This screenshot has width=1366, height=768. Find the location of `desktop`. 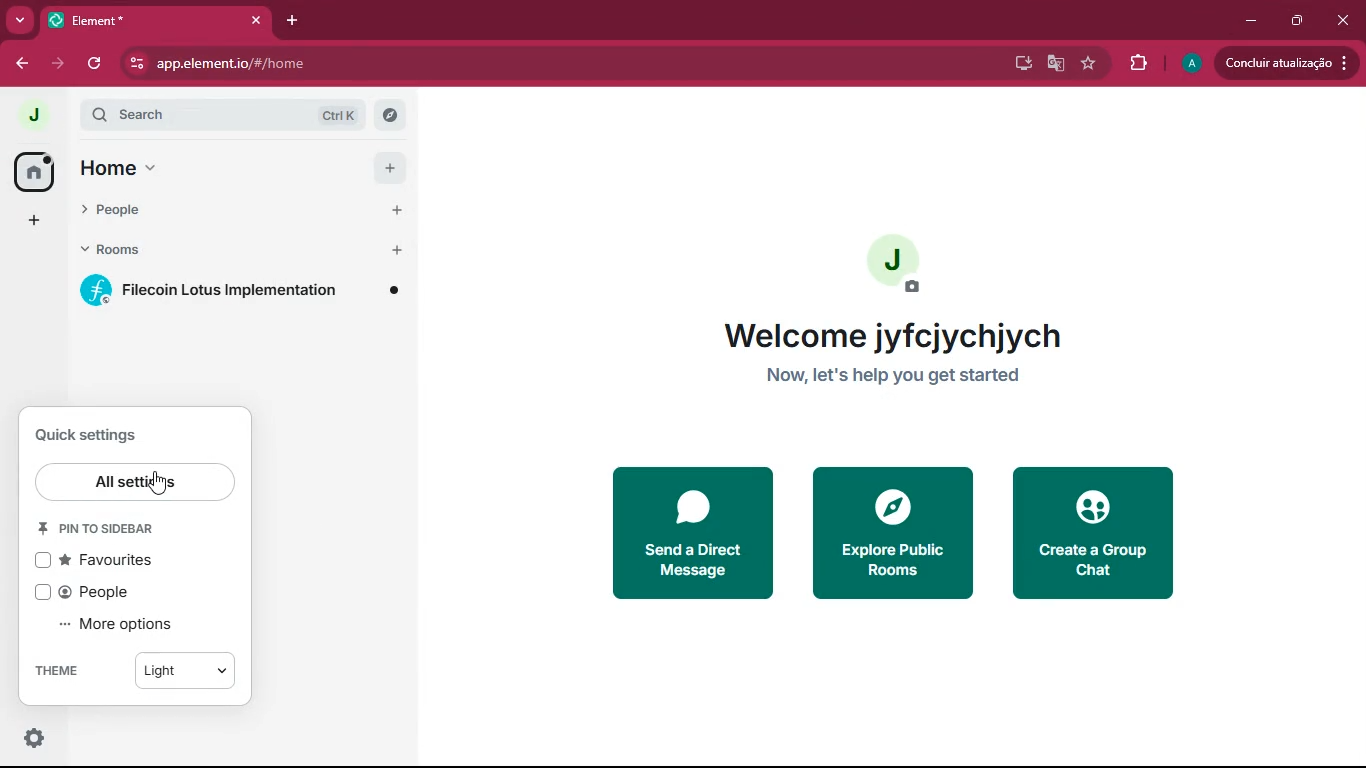

desktop is located at coordinates (1021, 64).